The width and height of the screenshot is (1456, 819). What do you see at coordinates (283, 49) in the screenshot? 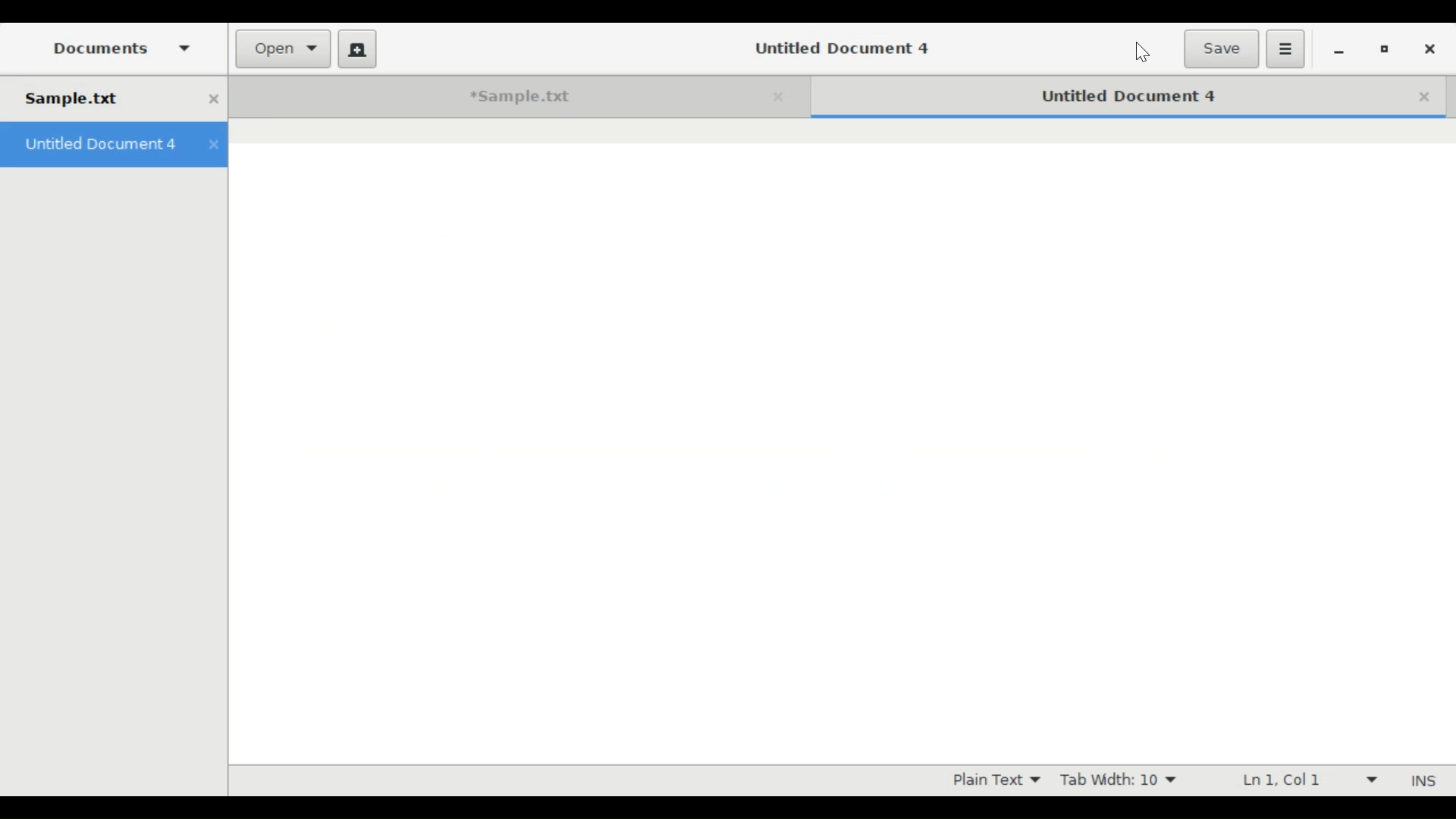
I see `Open` at bounding box center [283, 49].